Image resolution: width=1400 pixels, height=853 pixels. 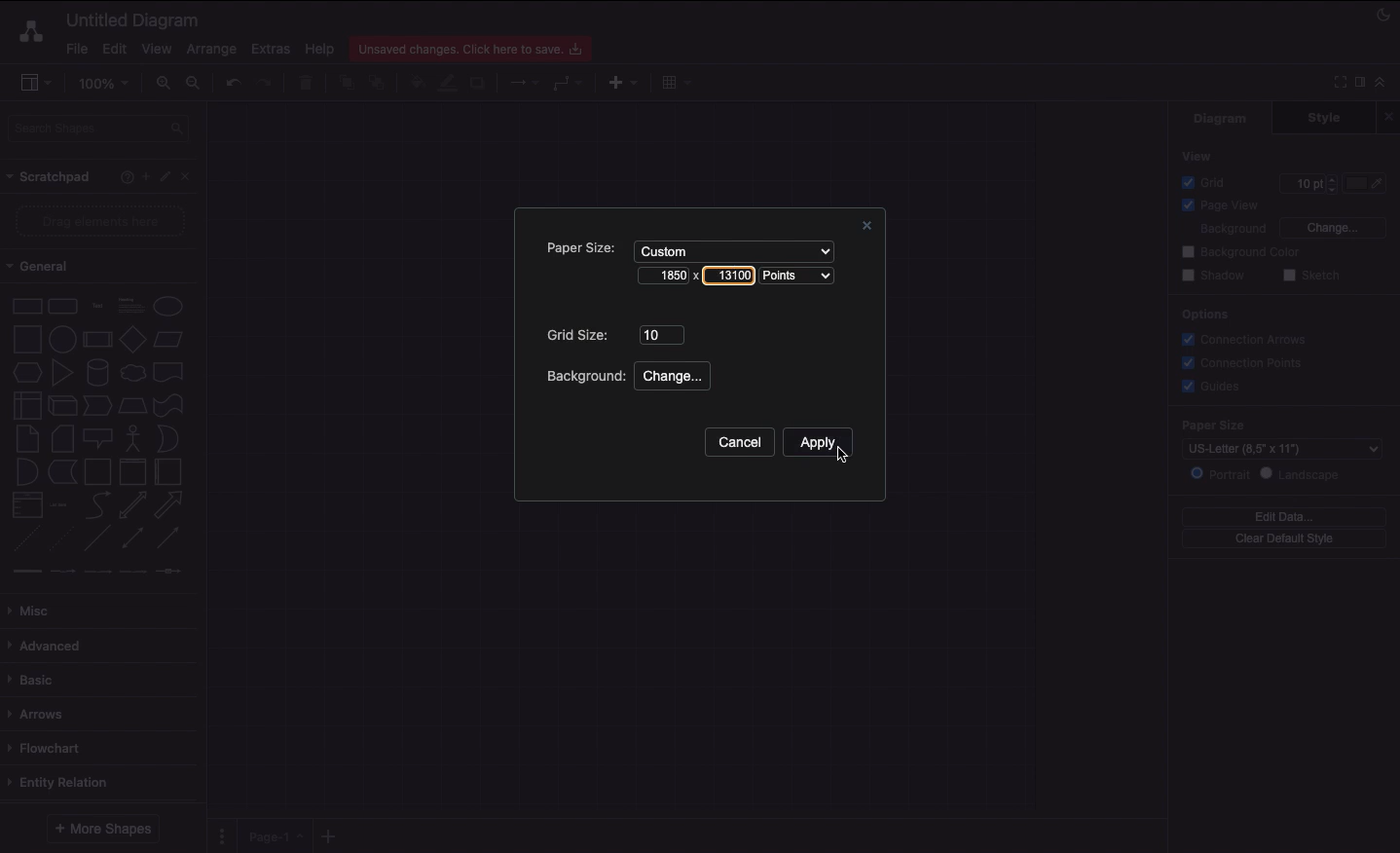 I want to click on Connection , so click(x=525, y=83).